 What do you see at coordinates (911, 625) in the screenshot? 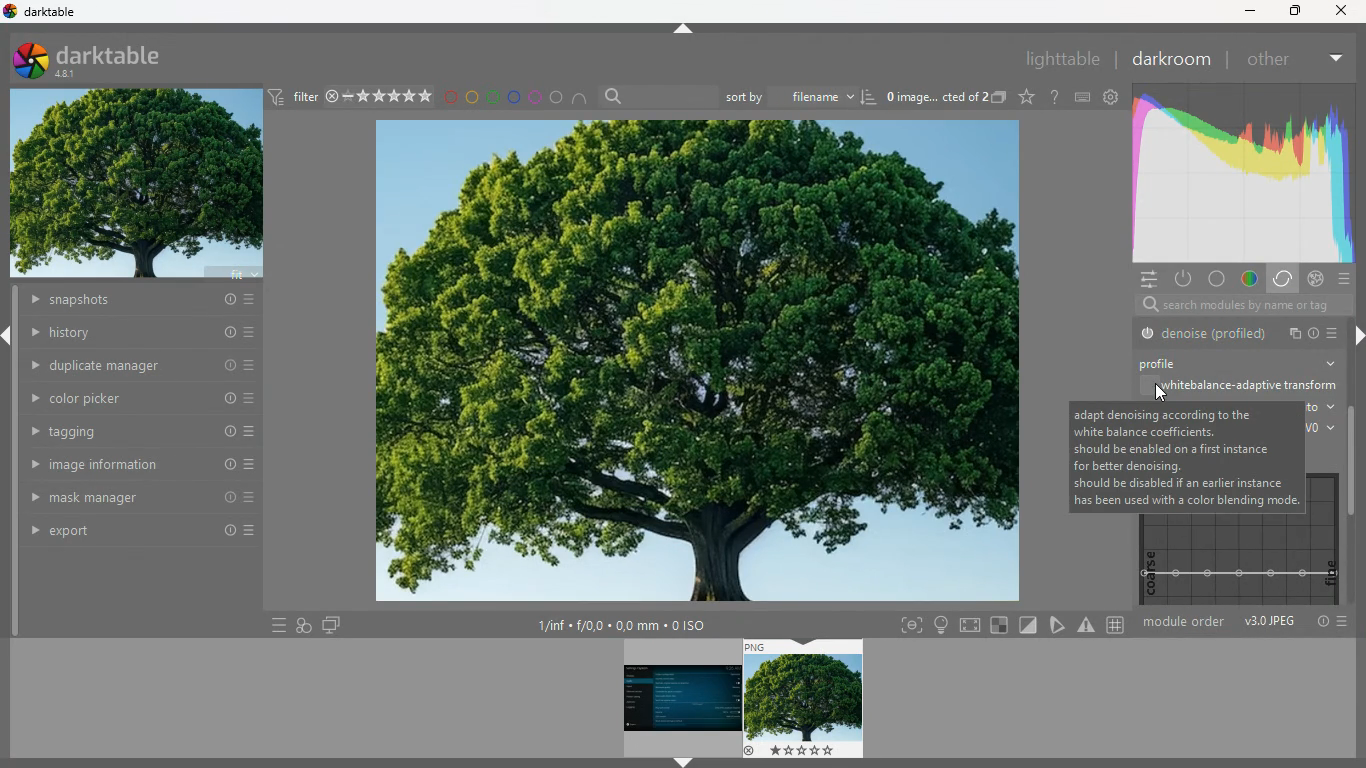
I see `frame` at bounding box center [911, 625].